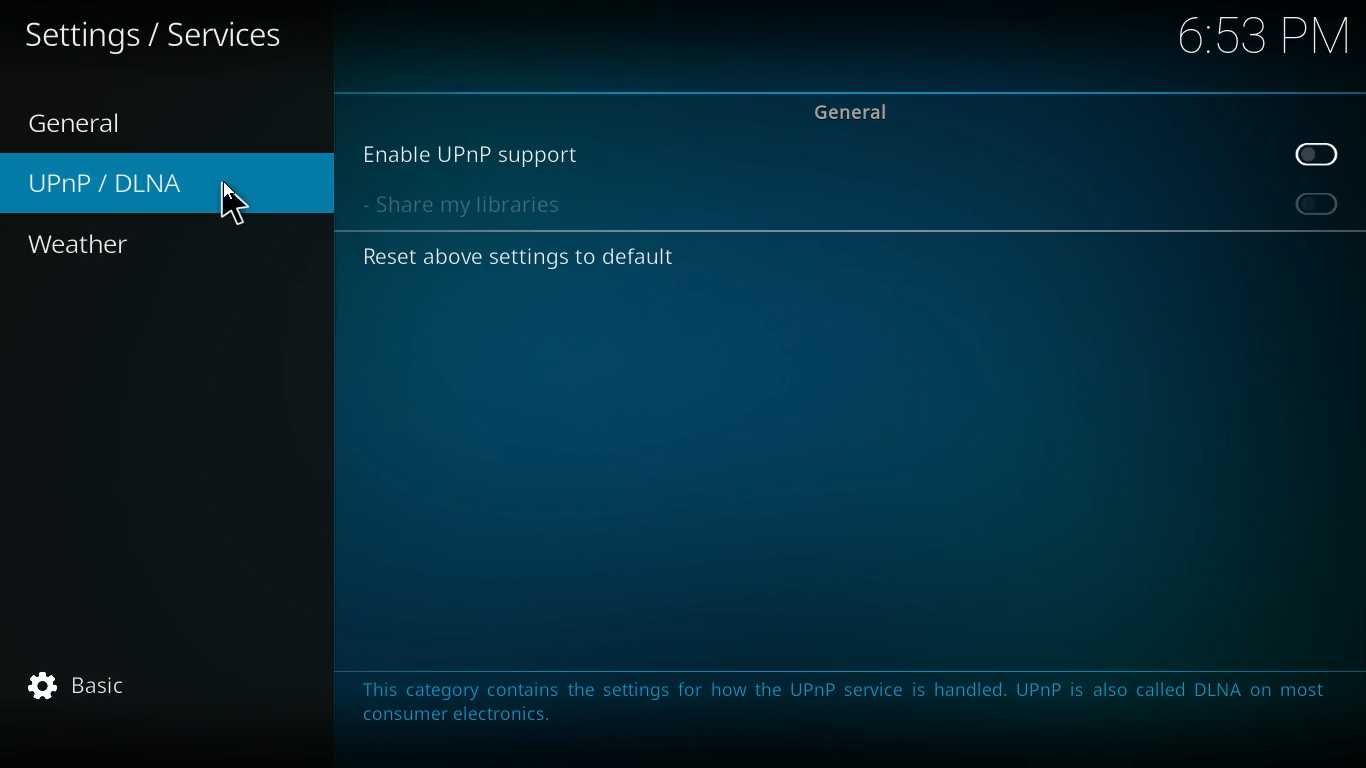  What do you see at coordinates (853, 150) in the screenshot?
I see `Enable UPnP support` at bounding box center [853, 150].